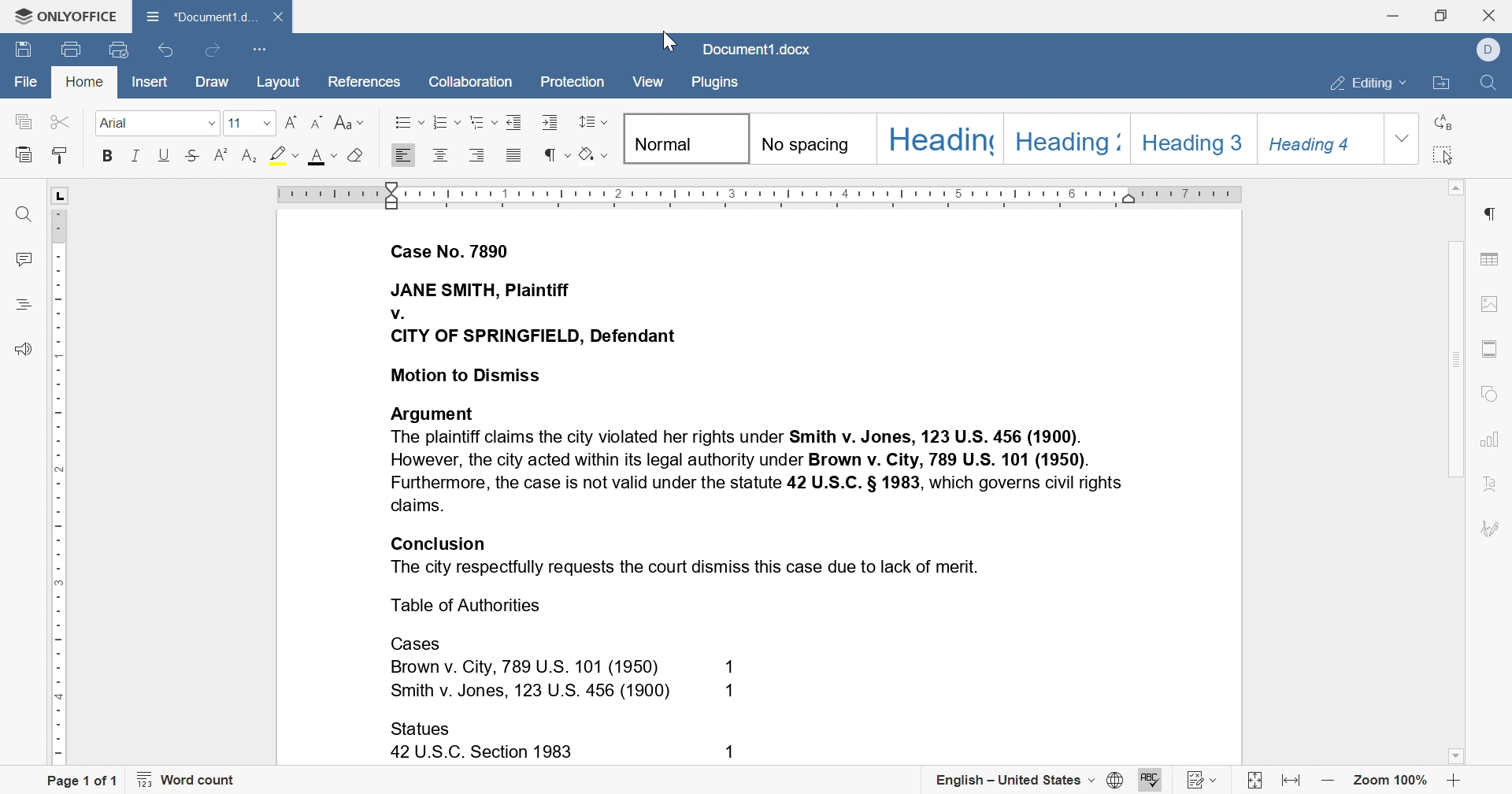 Image resolution: width=1512 pixels, height=794 pixels. Describe the element at coordinates (757, 49) in the screenshot. I see `Document1.docx` at that location.